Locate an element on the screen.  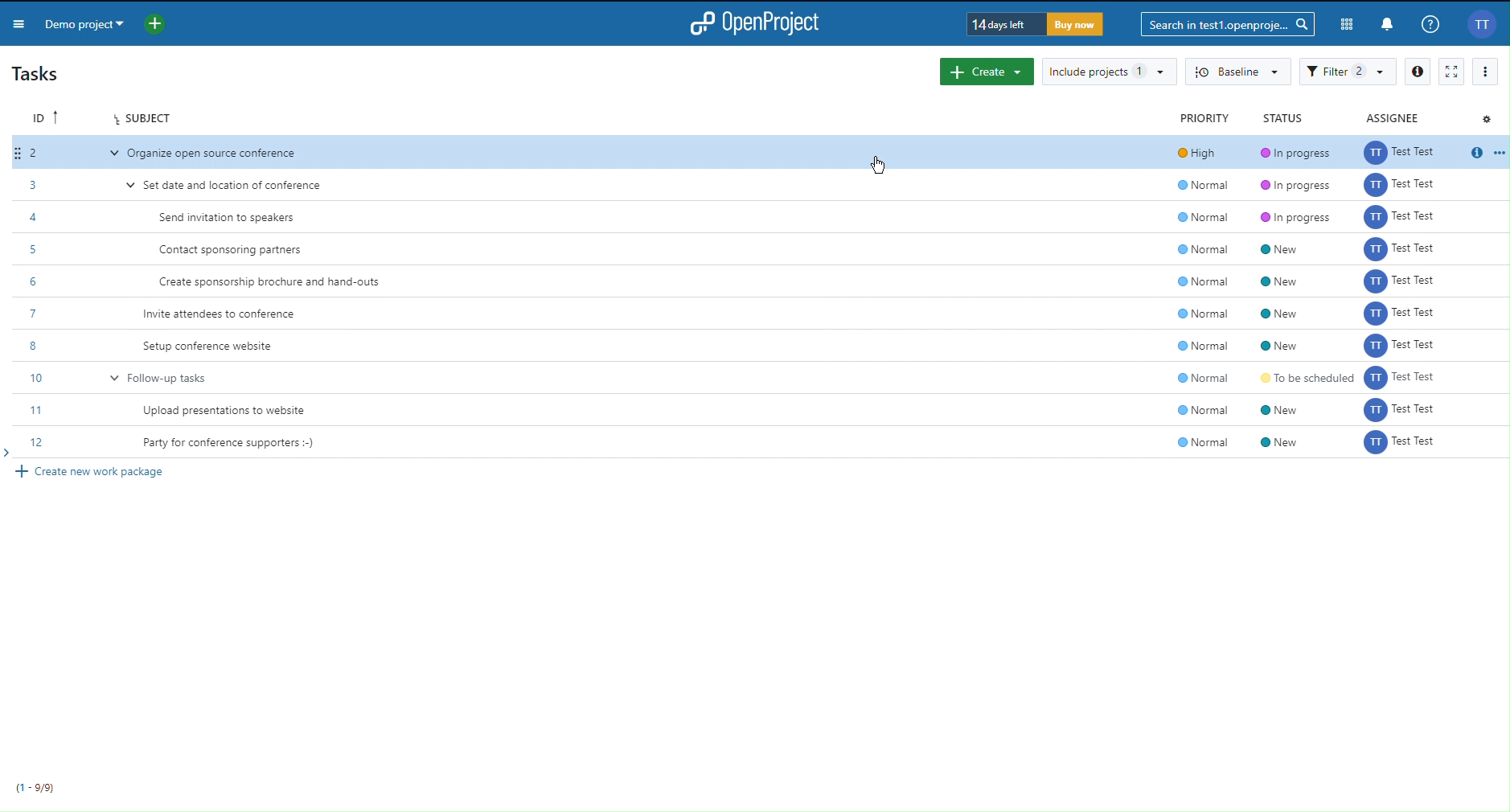
Account is located at coordinates (1481, 24).